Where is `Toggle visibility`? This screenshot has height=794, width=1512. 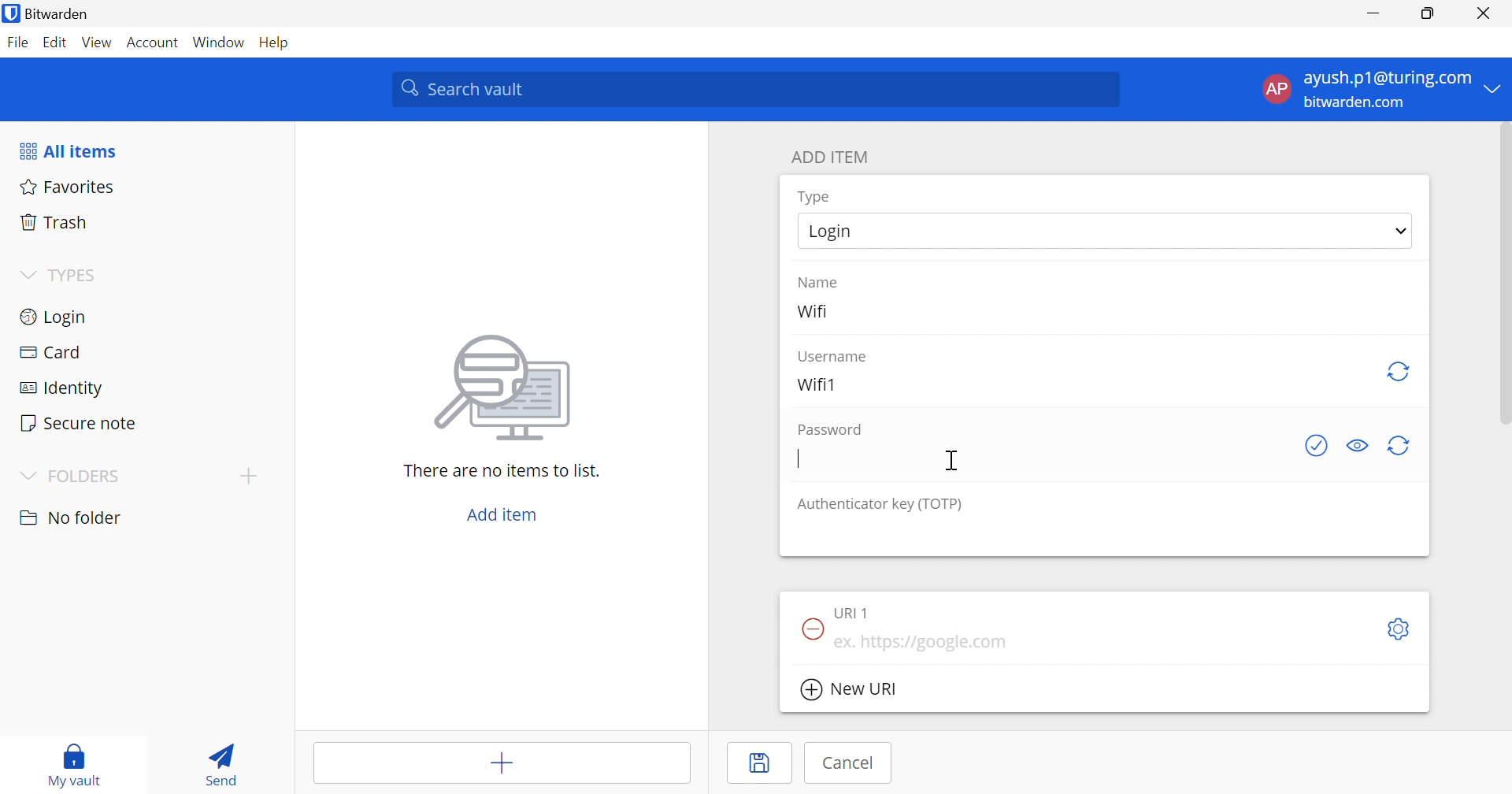 Toggle visibility is located at coordinates (1359, 446).